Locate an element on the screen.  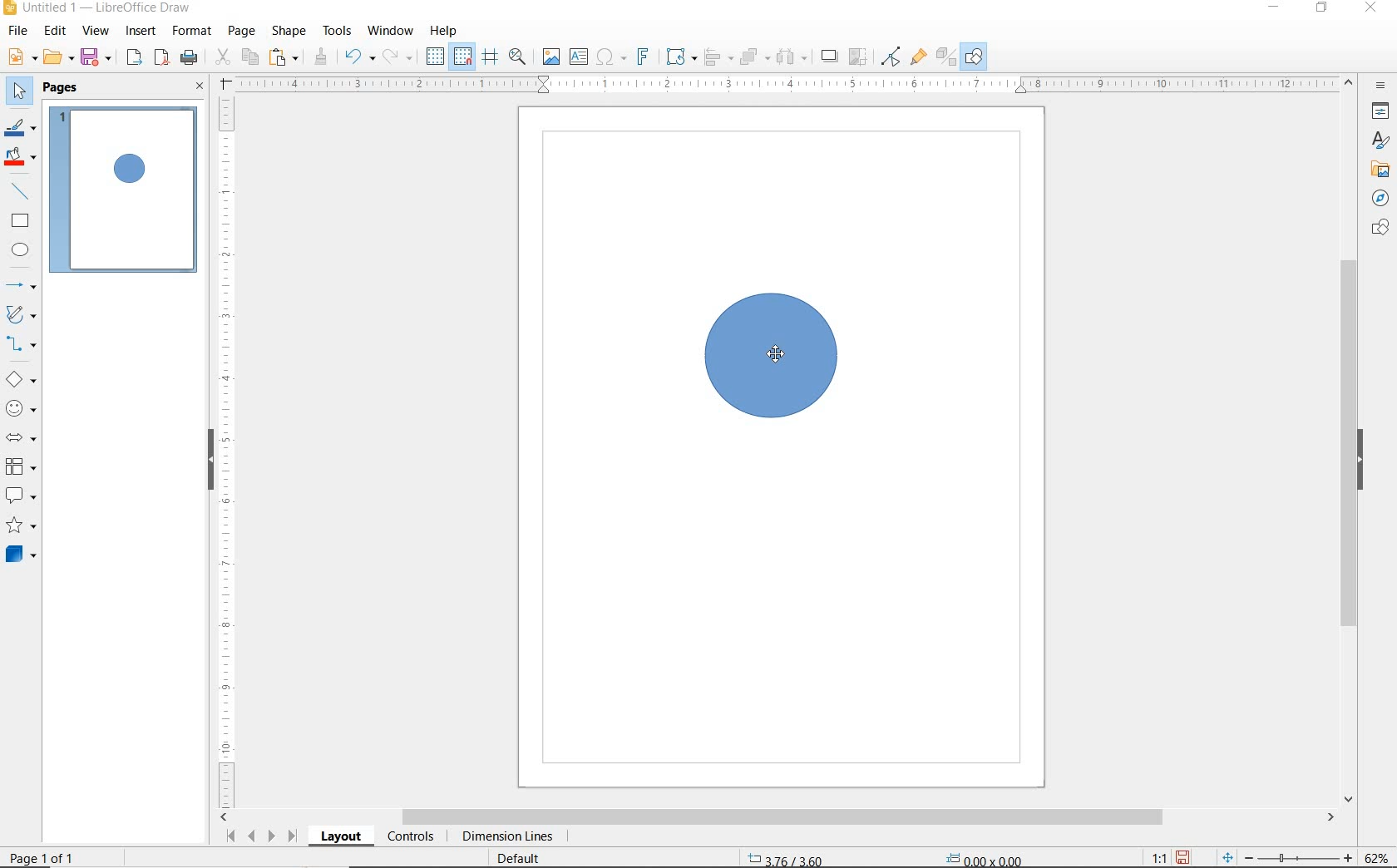
TOOLS is located at coordinates (338, 32).